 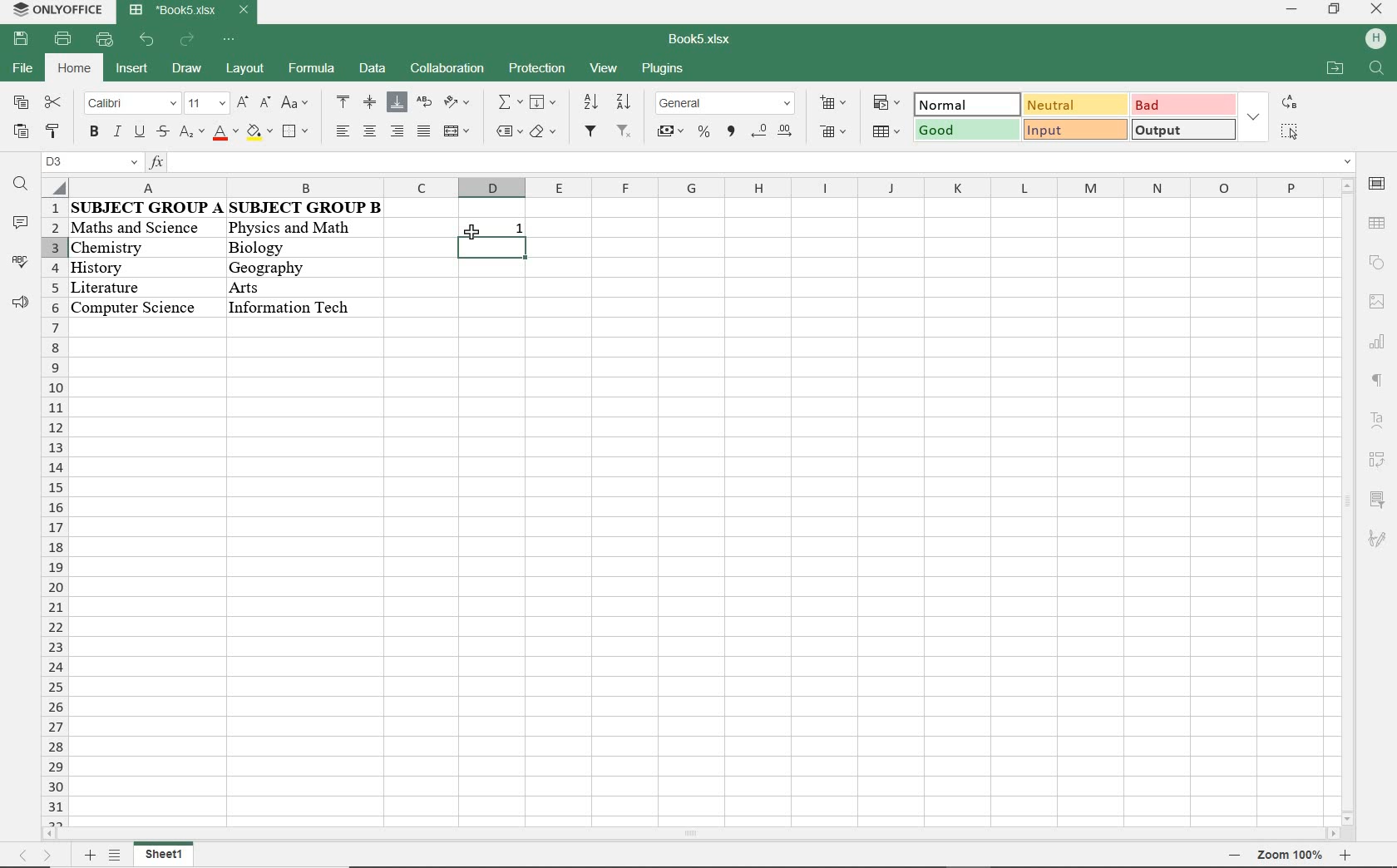 I want to click on document name, so click(x=701, y=40).